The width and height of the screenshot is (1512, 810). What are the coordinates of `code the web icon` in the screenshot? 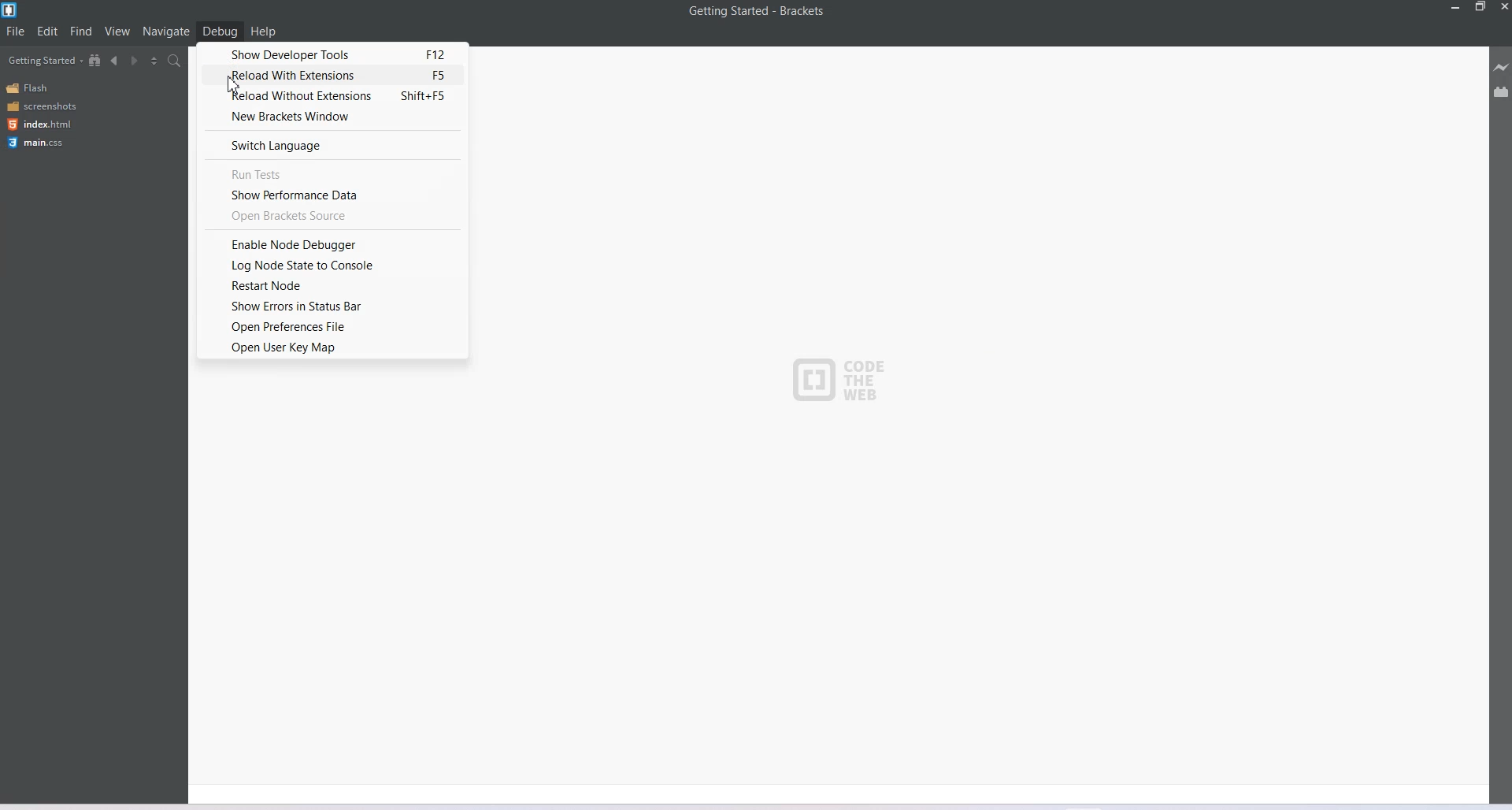 It's located at (847, 383).